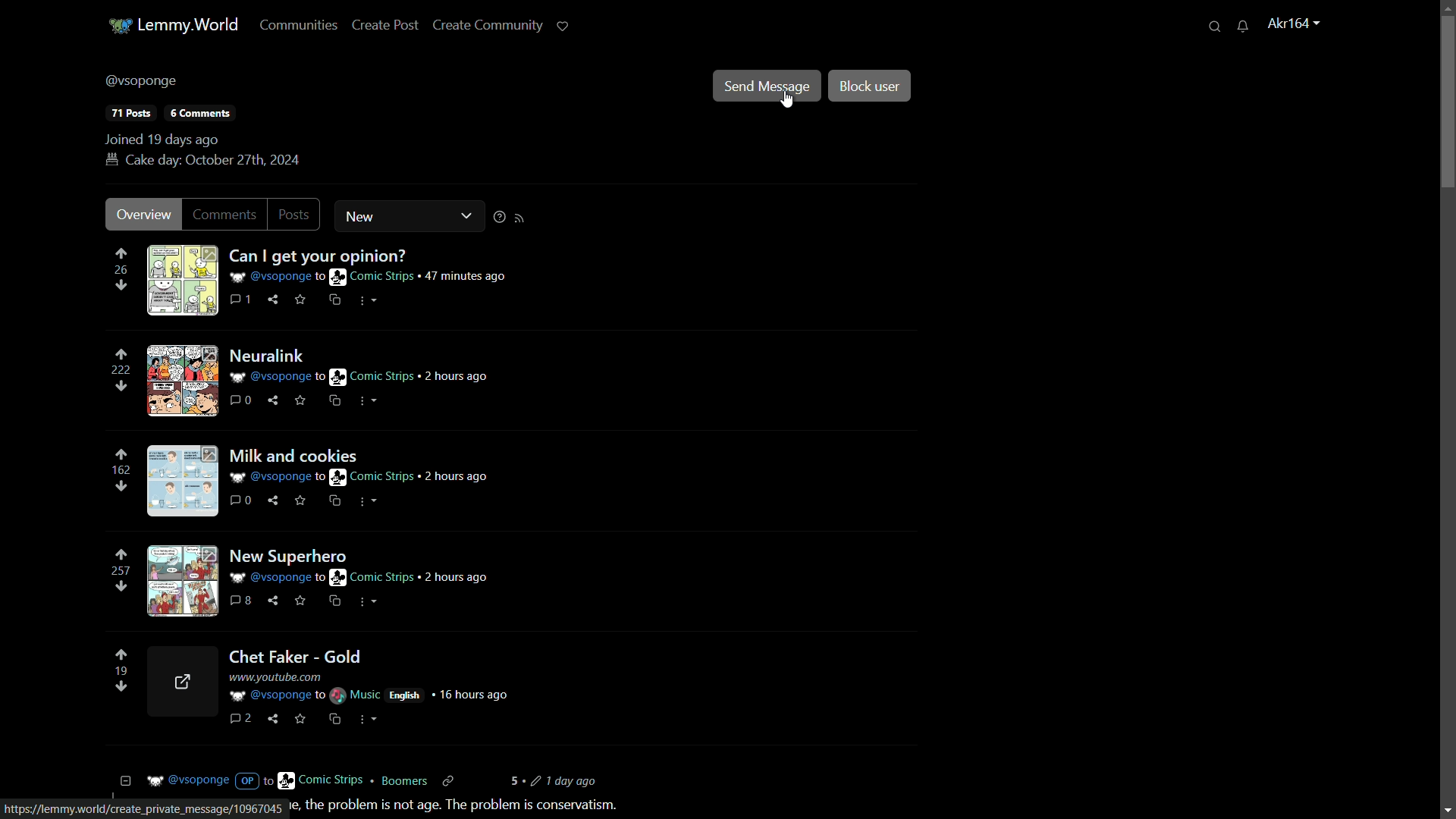 The image size is (1456, 819). Describe the element at coordinates (425, 686) in the screenshot. I see `post details` at that location.